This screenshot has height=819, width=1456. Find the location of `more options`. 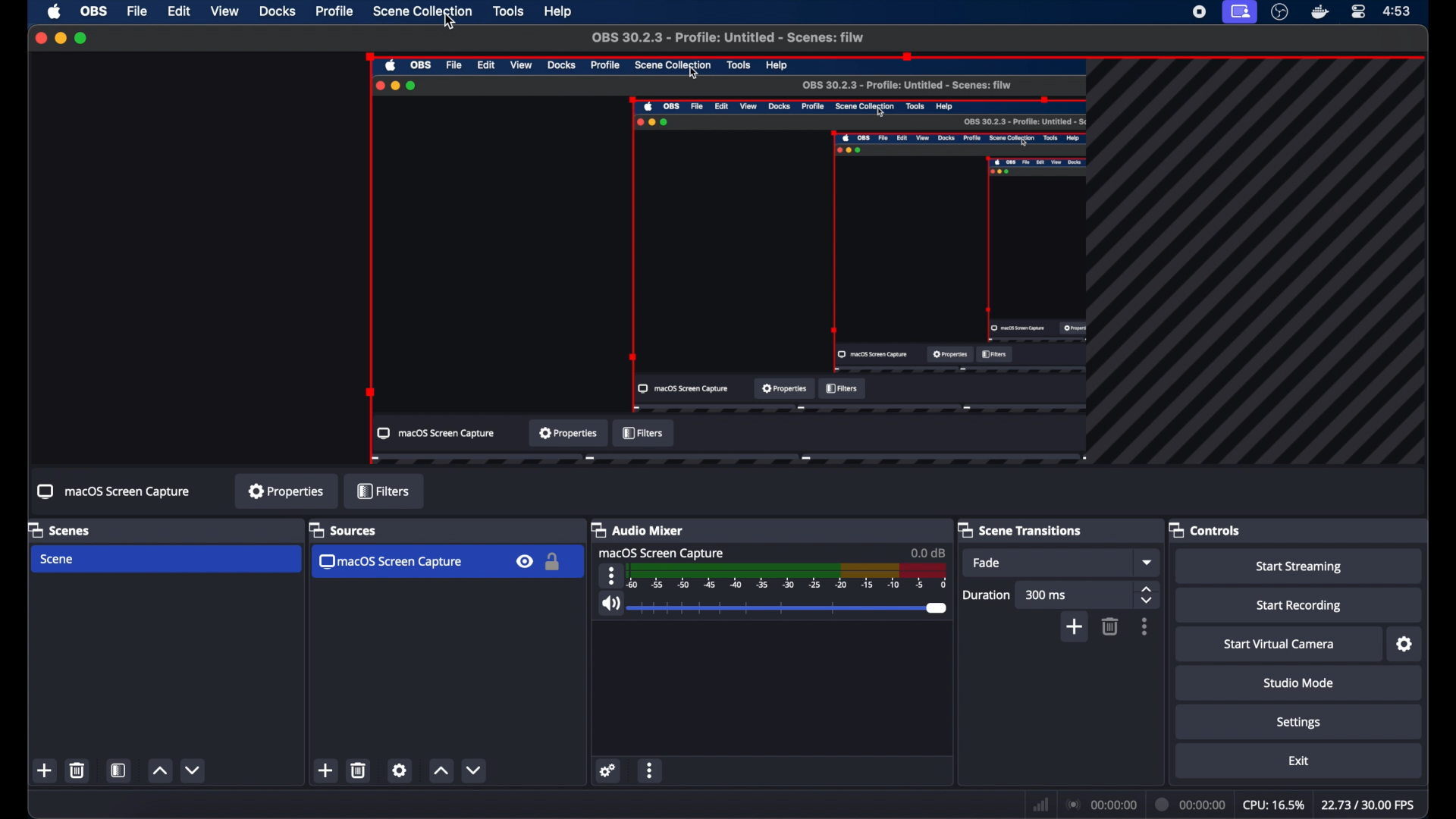

more options is located at coordinates (650, 773).